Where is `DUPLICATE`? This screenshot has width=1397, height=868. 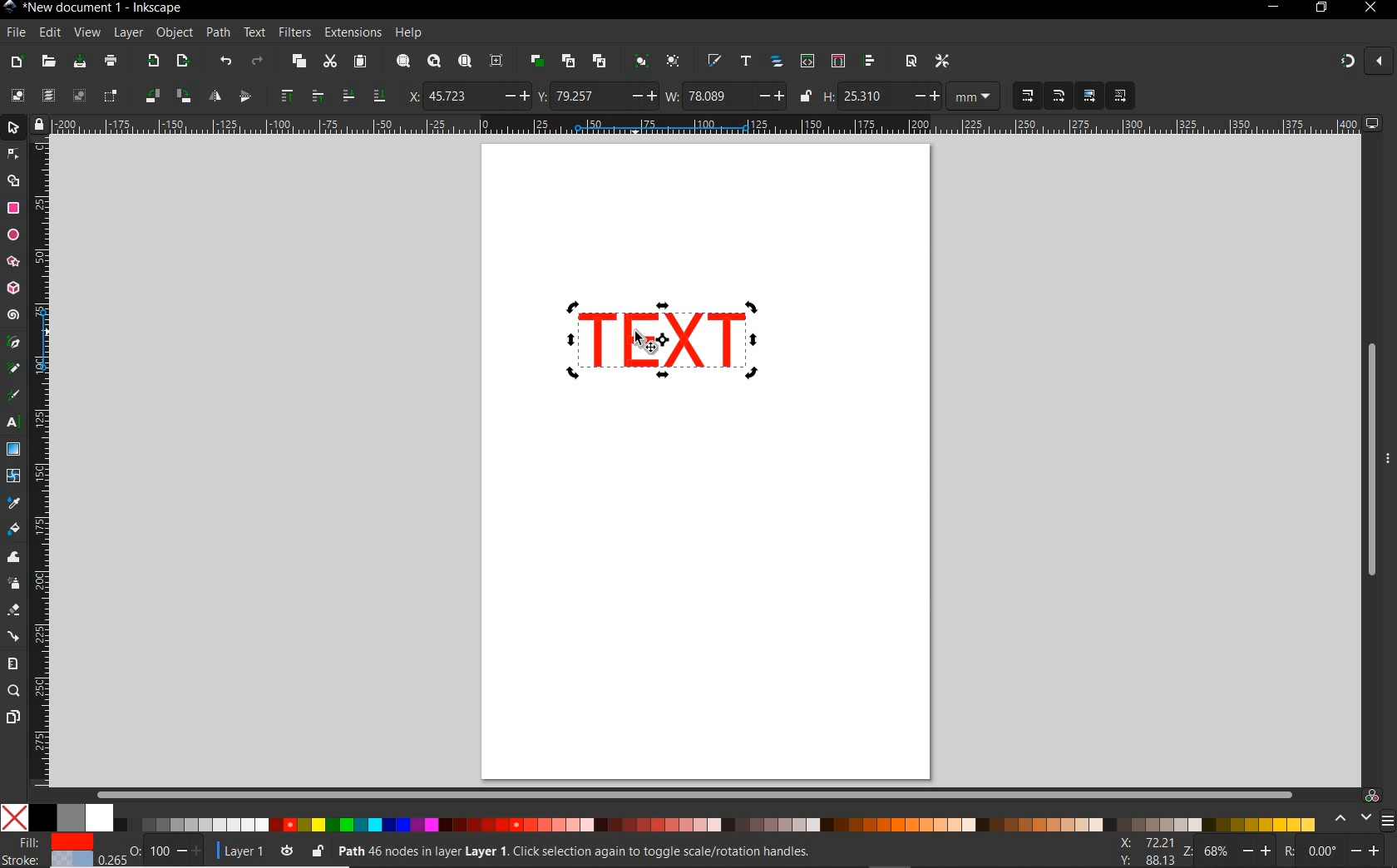
DUPLICATE is located at coordinates (535, 62).